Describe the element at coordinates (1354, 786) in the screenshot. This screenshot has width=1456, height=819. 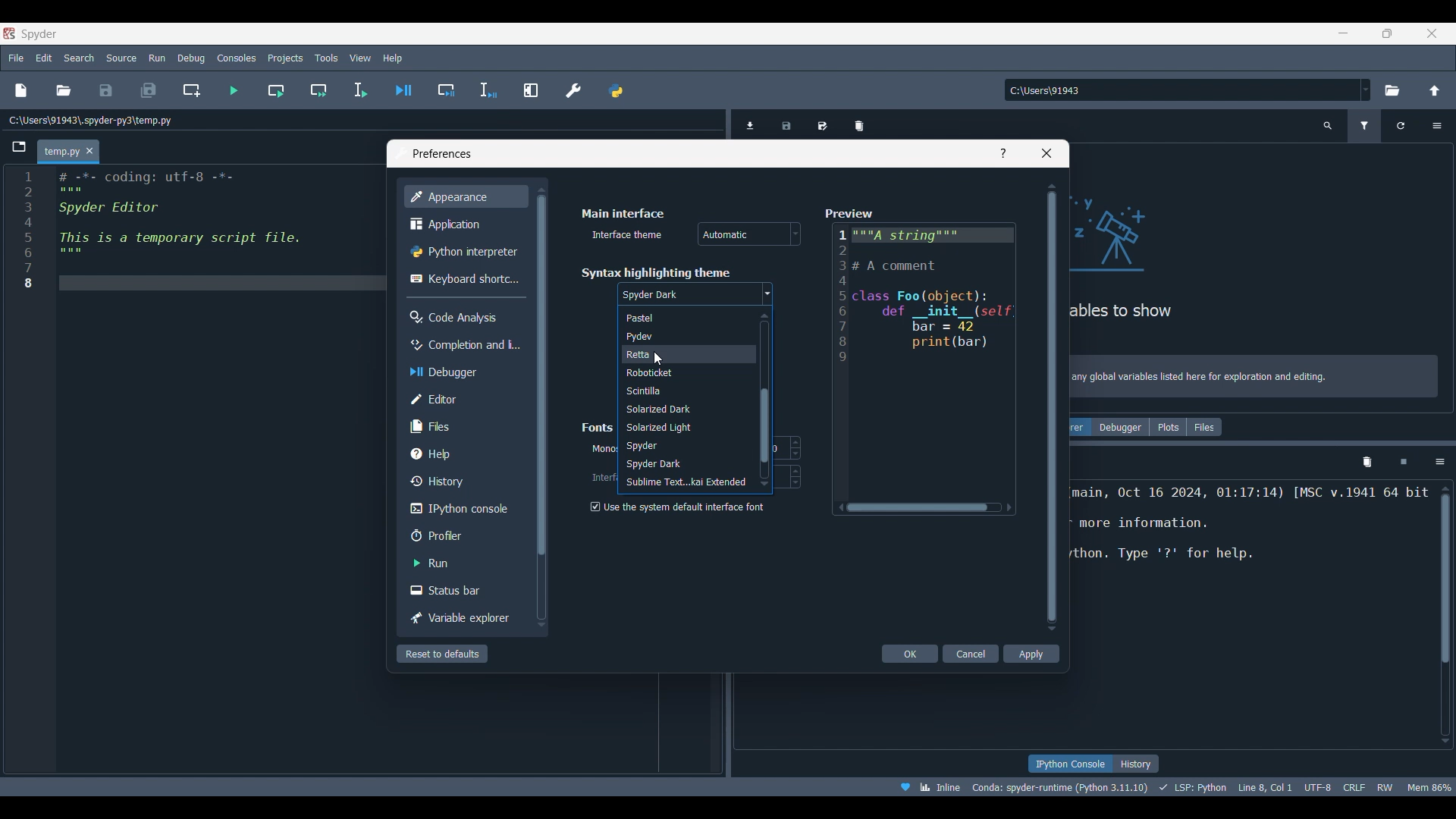
I see `crlf` at that location.